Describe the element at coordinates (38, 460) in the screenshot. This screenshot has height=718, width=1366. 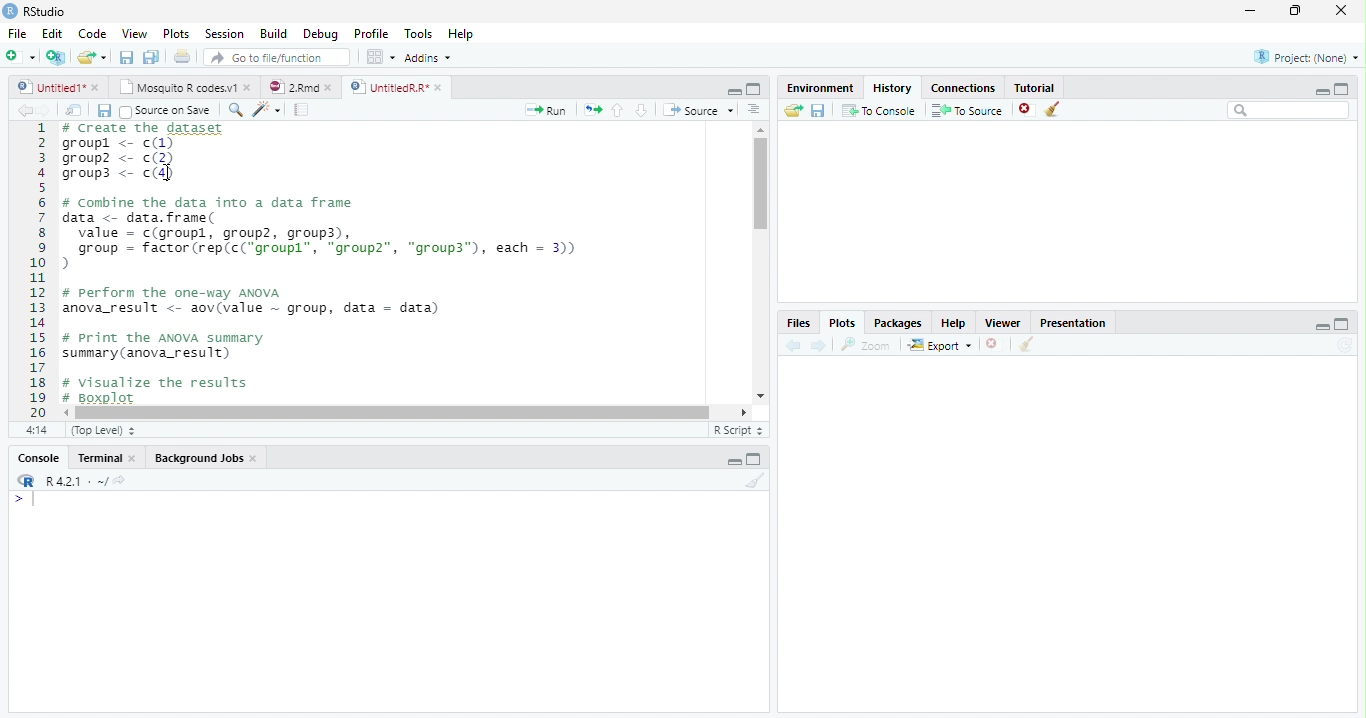
I see `Console` at that location.